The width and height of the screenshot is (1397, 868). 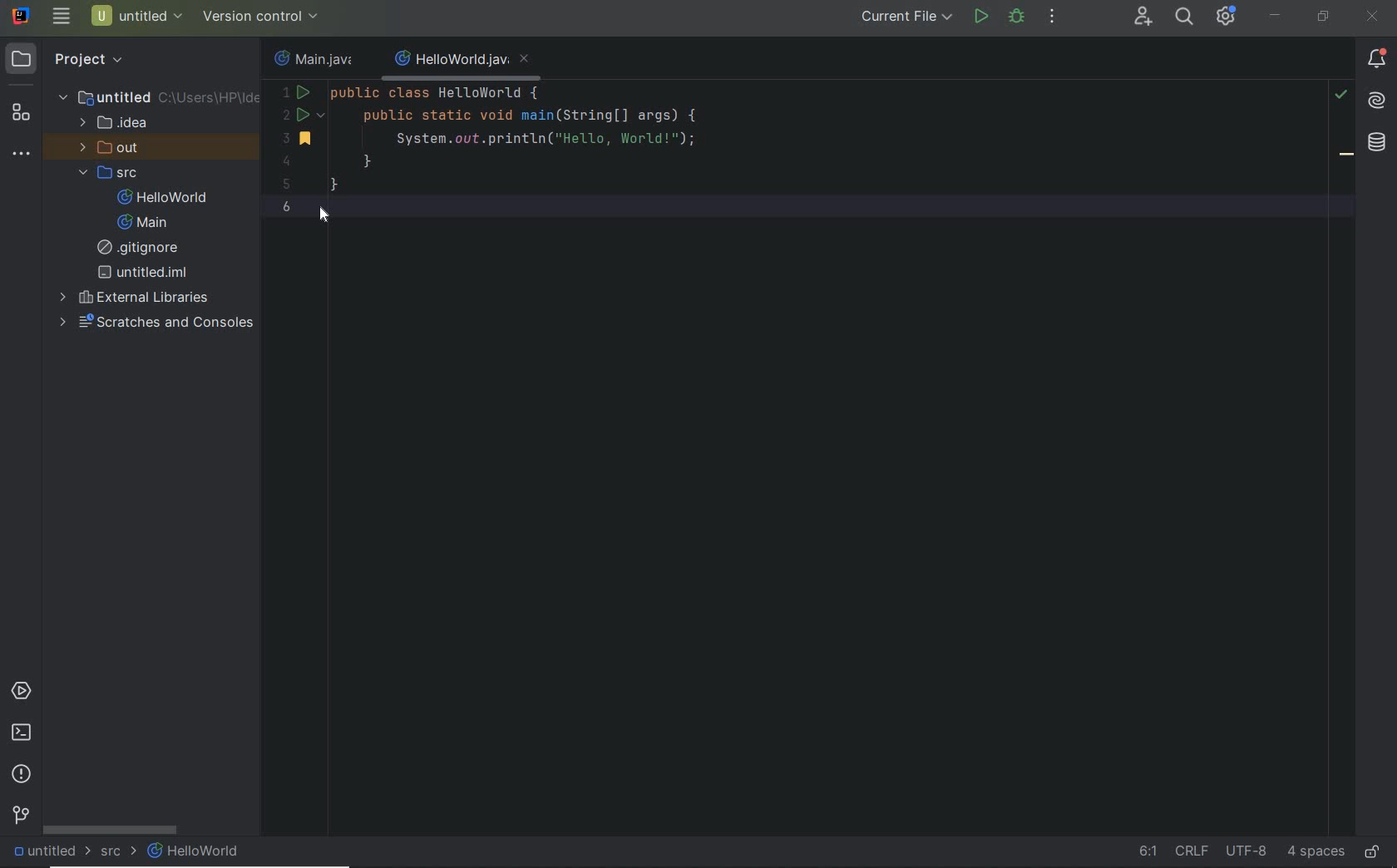 What do you see at coordinates (157, 96) in the screenshot?
I see `untitled` at bounding box center [157, 96].